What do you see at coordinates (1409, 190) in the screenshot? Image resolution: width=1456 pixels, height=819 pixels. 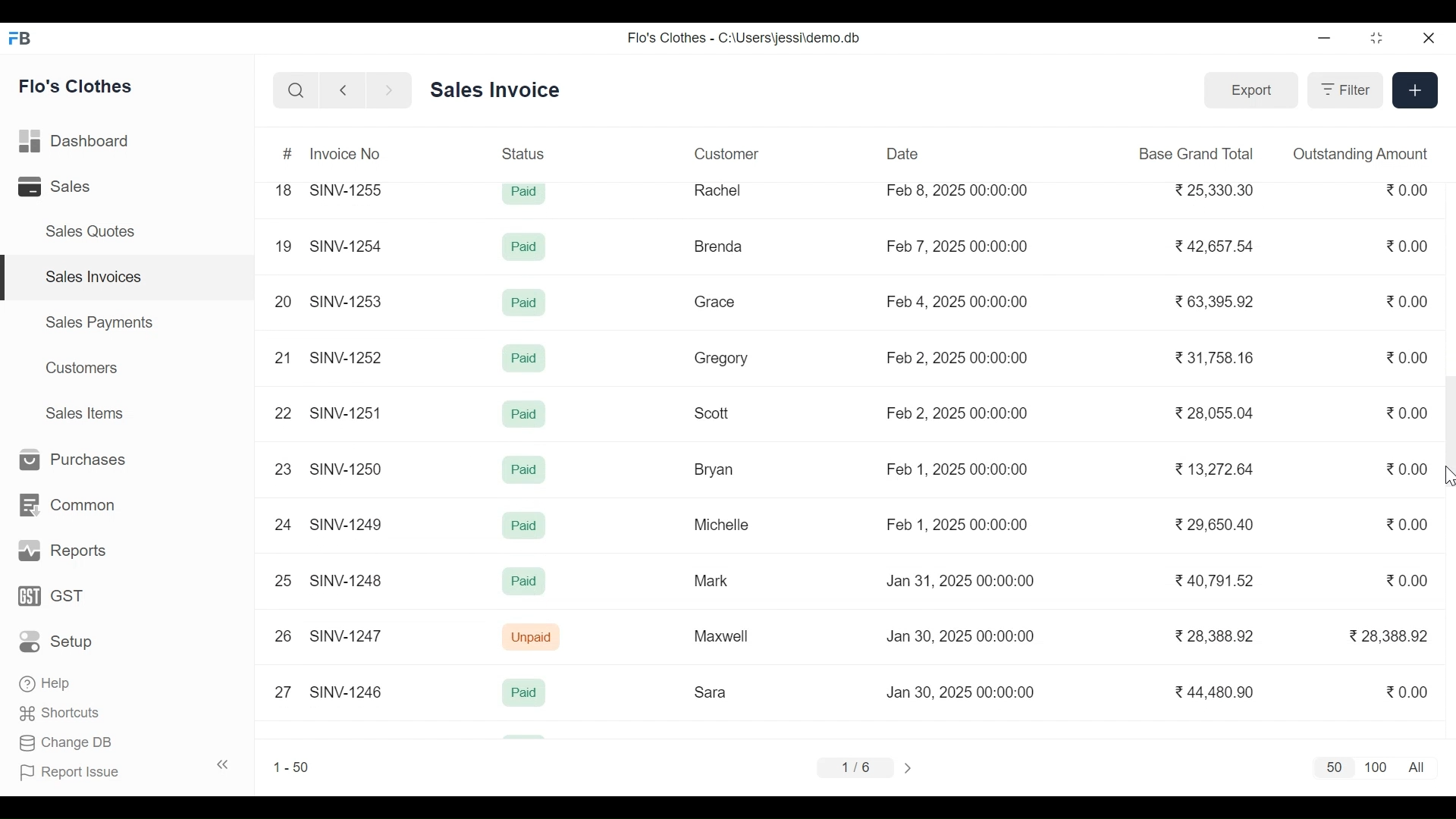 I see `0.00` at bounding box center [1409, 190].